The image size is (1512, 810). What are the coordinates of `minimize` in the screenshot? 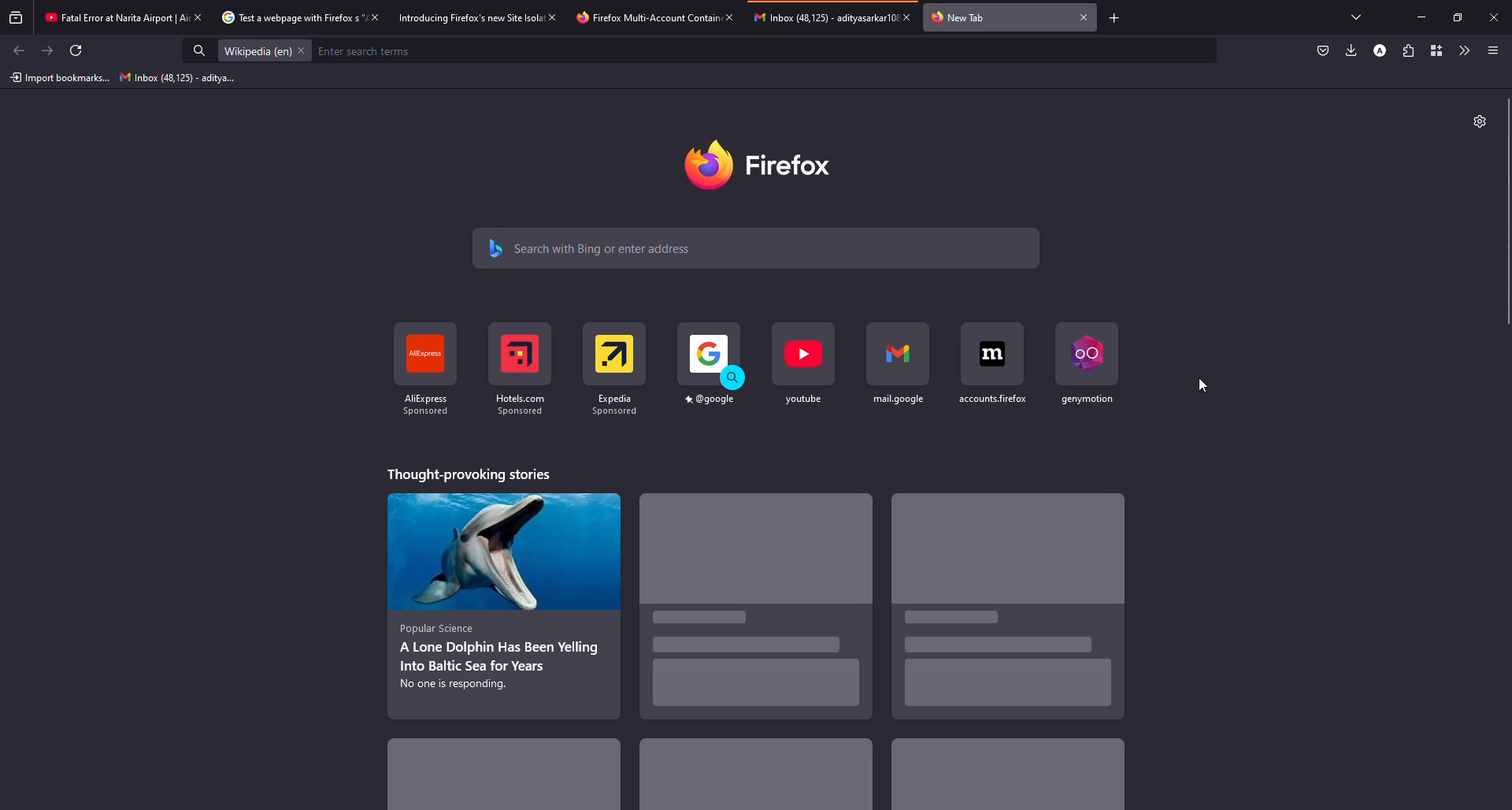 It's located at (1421, 17).